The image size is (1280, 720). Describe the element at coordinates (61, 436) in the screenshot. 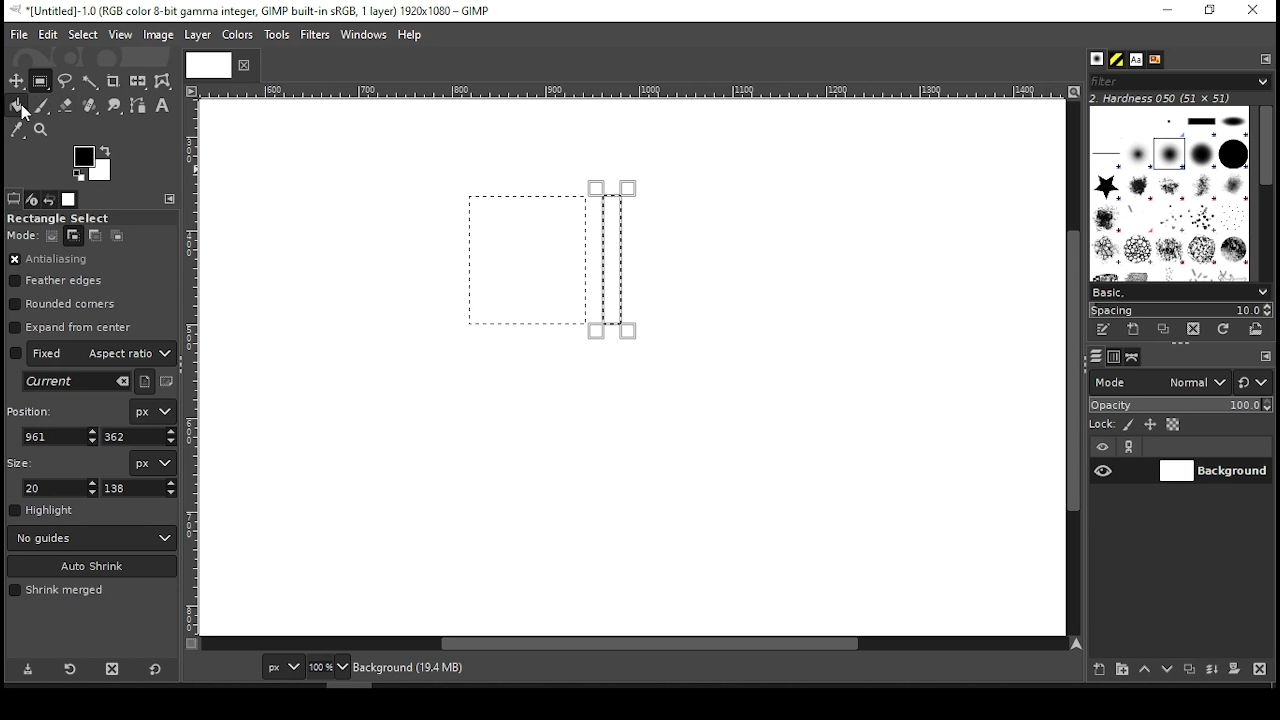

I see `x` at that location.